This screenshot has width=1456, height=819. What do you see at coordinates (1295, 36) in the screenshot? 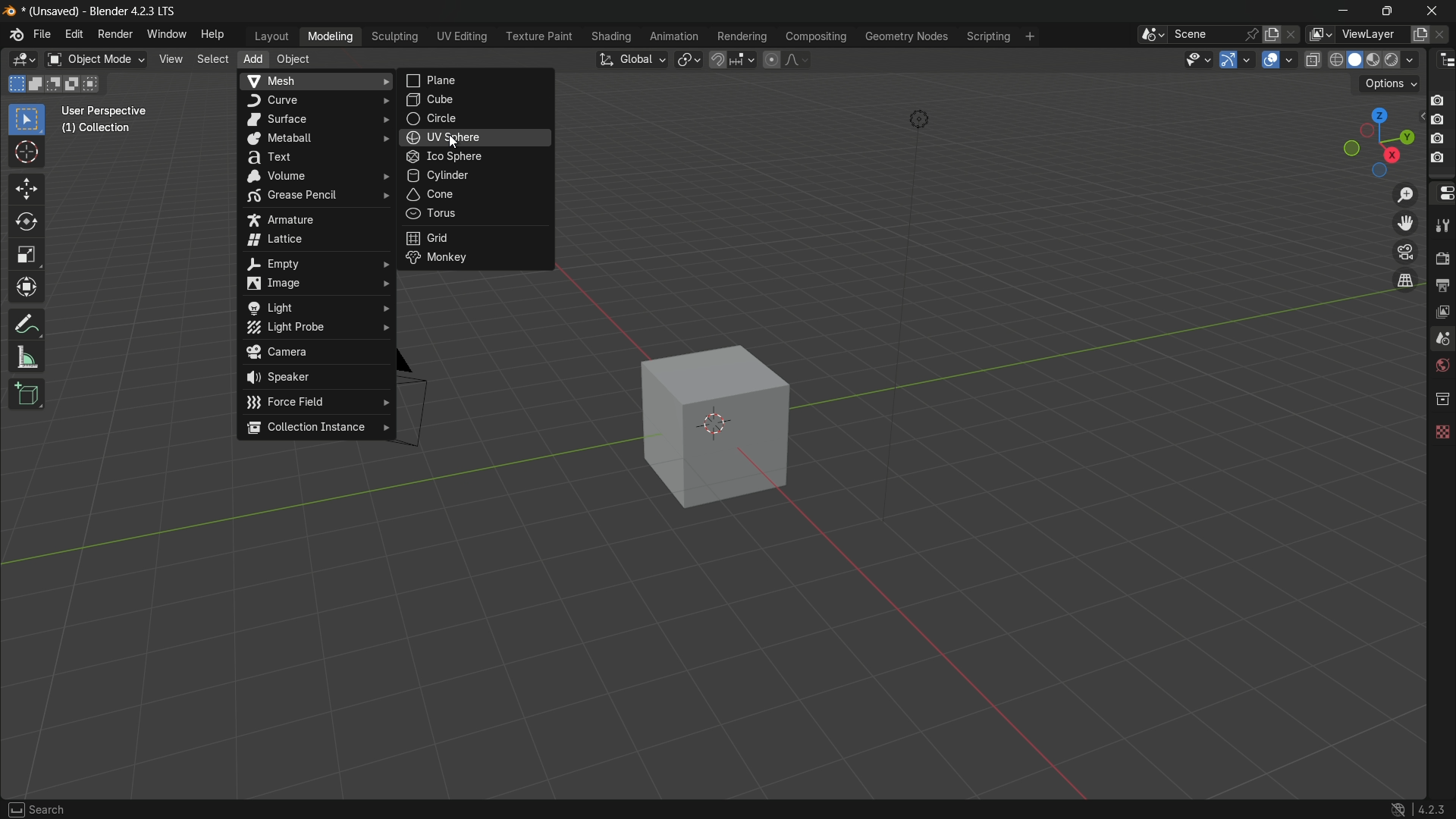
I see `delete scenes` at bounding box center [1295, 36].